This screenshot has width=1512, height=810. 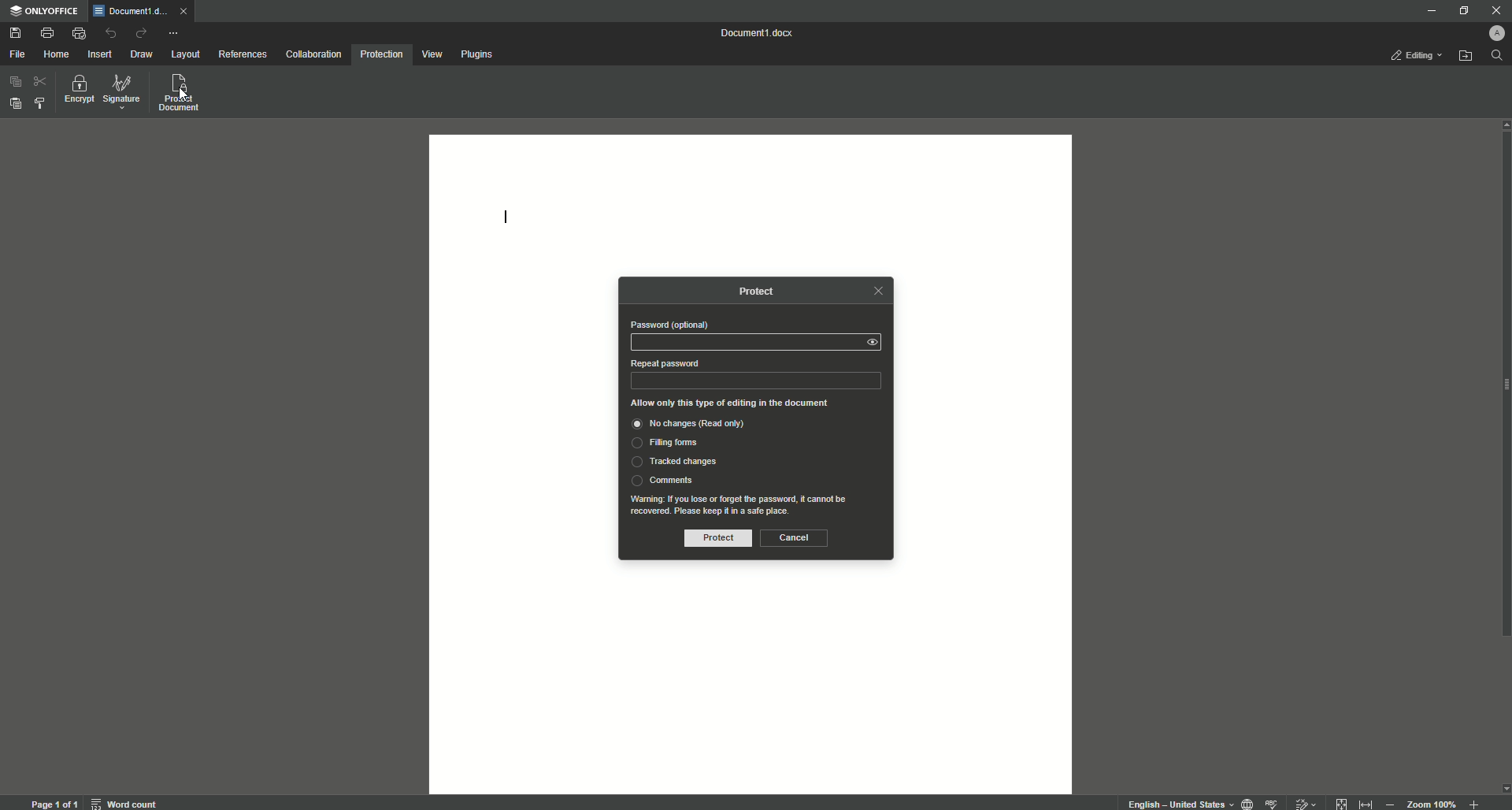 What do you see at coordinates (79, 32) in the screenshot?
I see `Quick Print` at bounding box center [79, 32].